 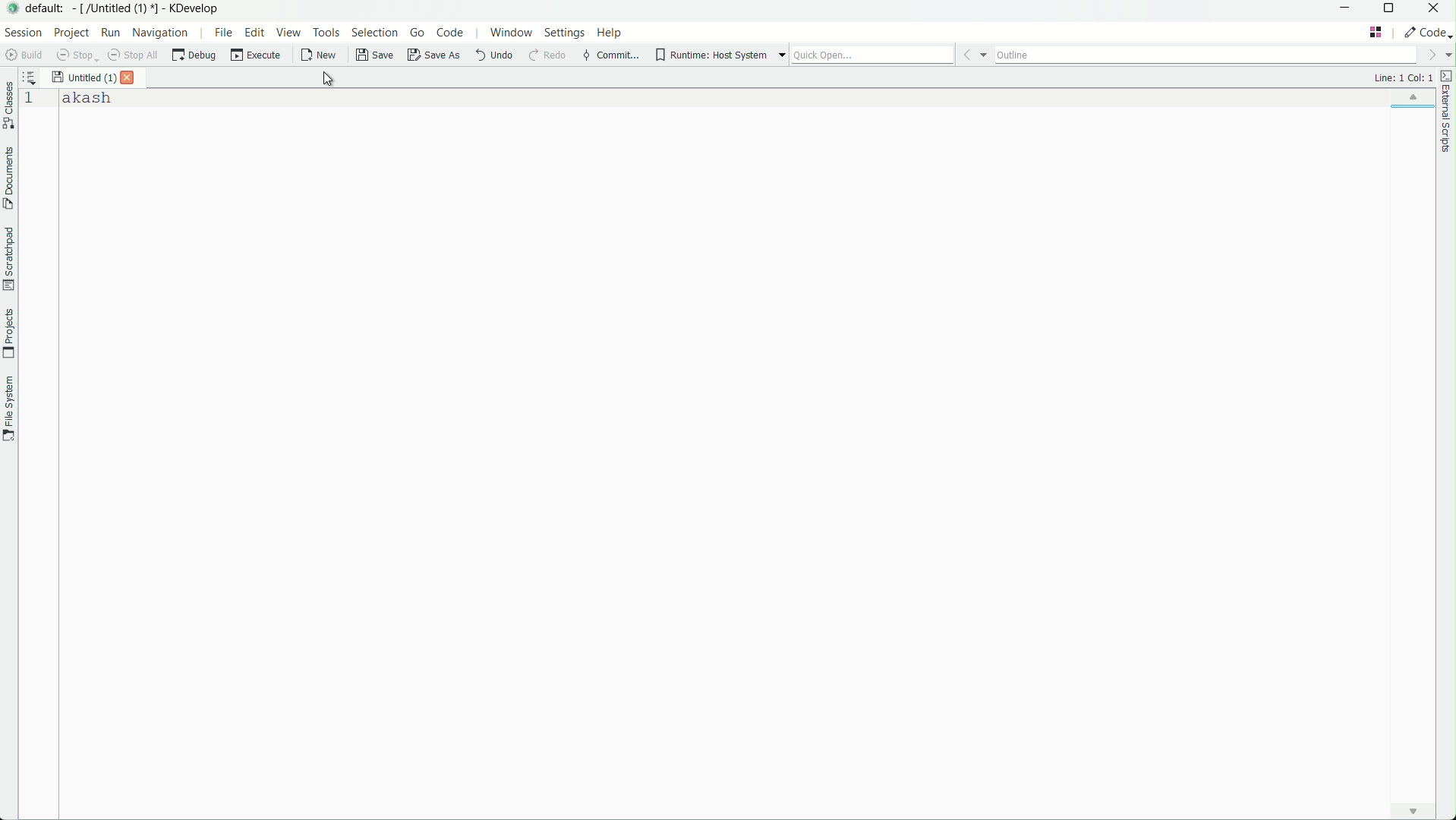 I want to click on font enlarged, so click(x=87, y=98).